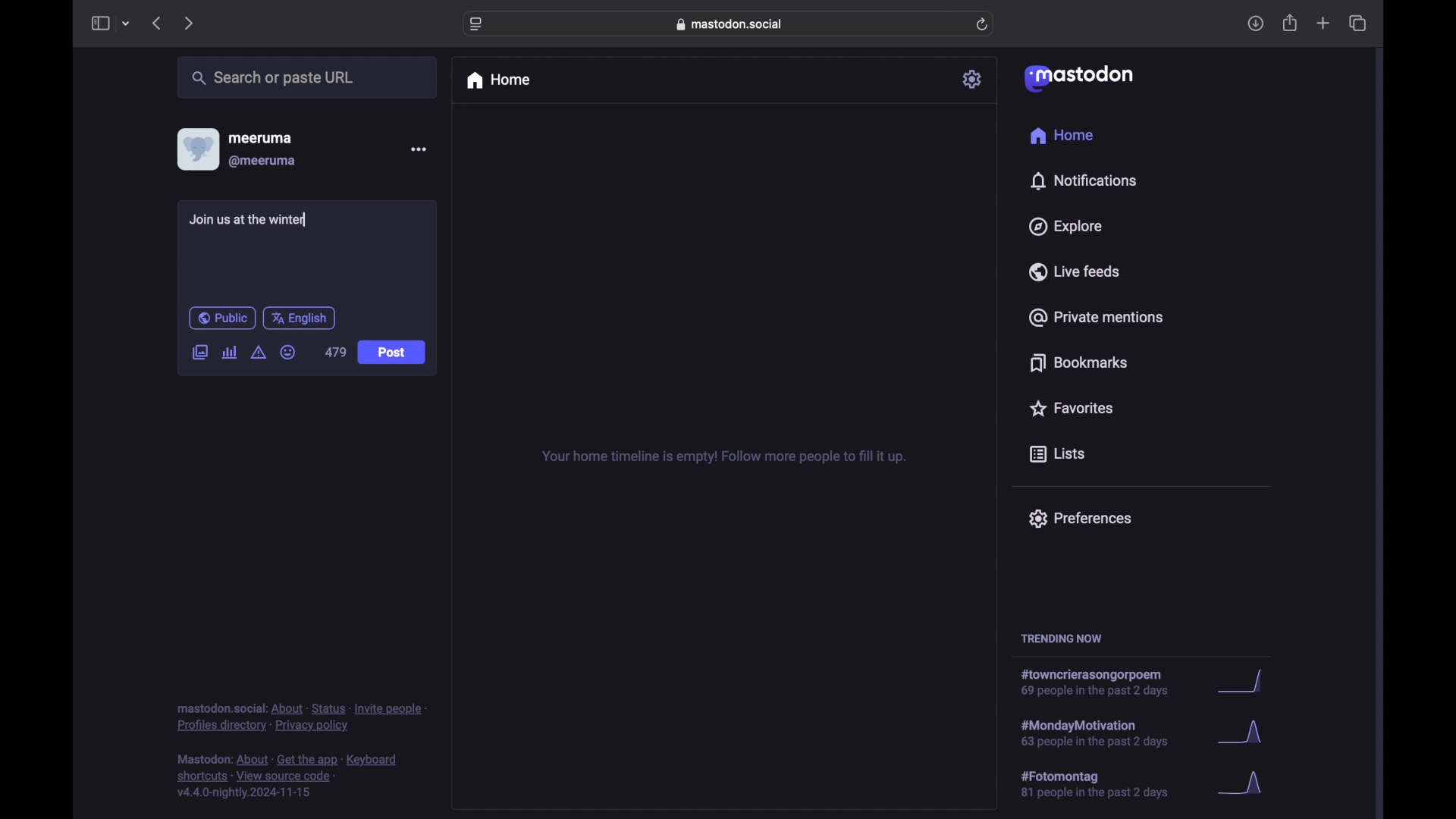  What do you see at coordinates (1244, 736) in the screenshot?
I see `graph` at bounding box center [1244, 736].